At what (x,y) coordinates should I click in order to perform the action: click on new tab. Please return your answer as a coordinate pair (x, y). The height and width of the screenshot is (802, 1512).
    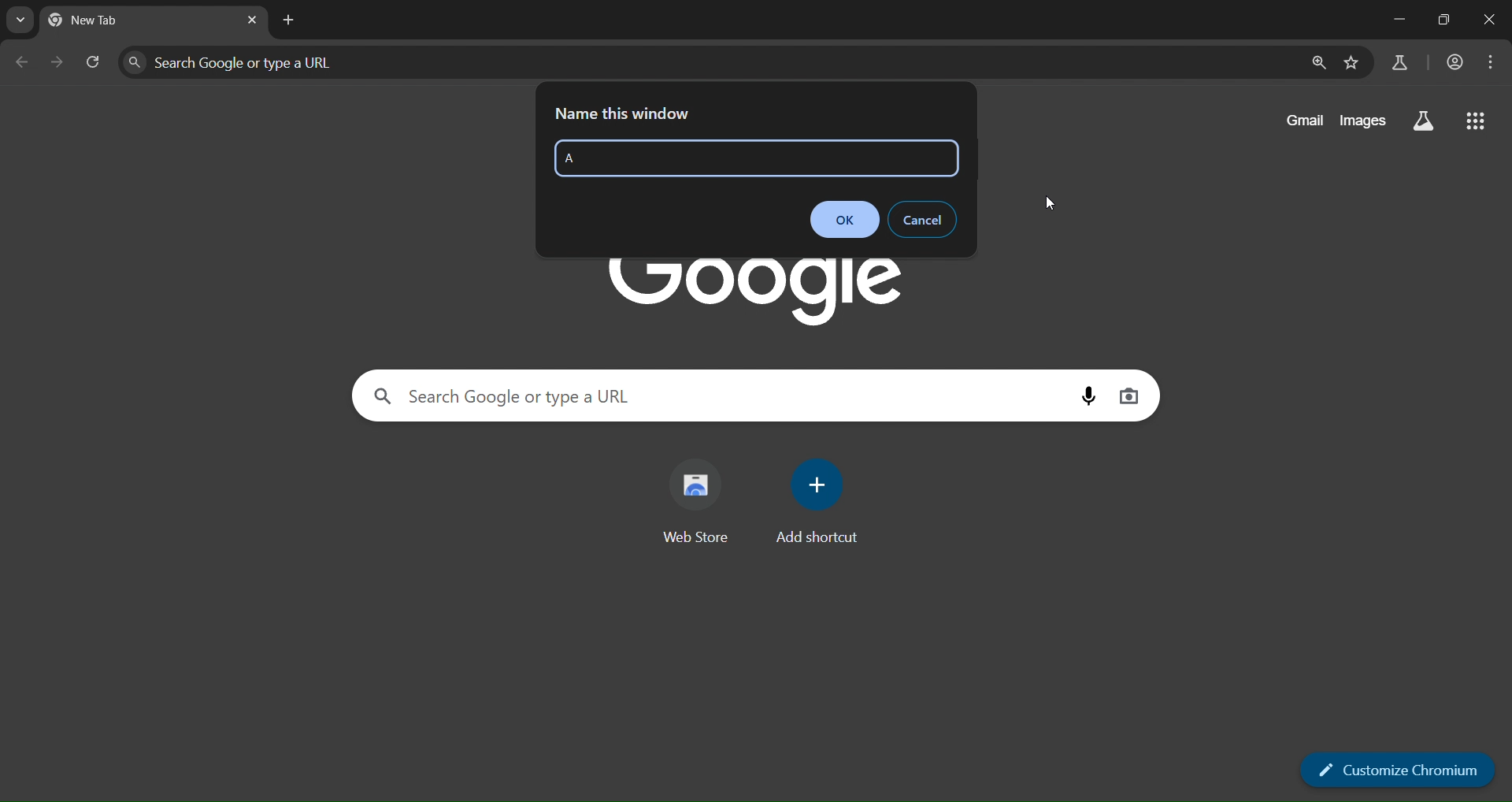
    Looking at the image, I should click on (106, 18).